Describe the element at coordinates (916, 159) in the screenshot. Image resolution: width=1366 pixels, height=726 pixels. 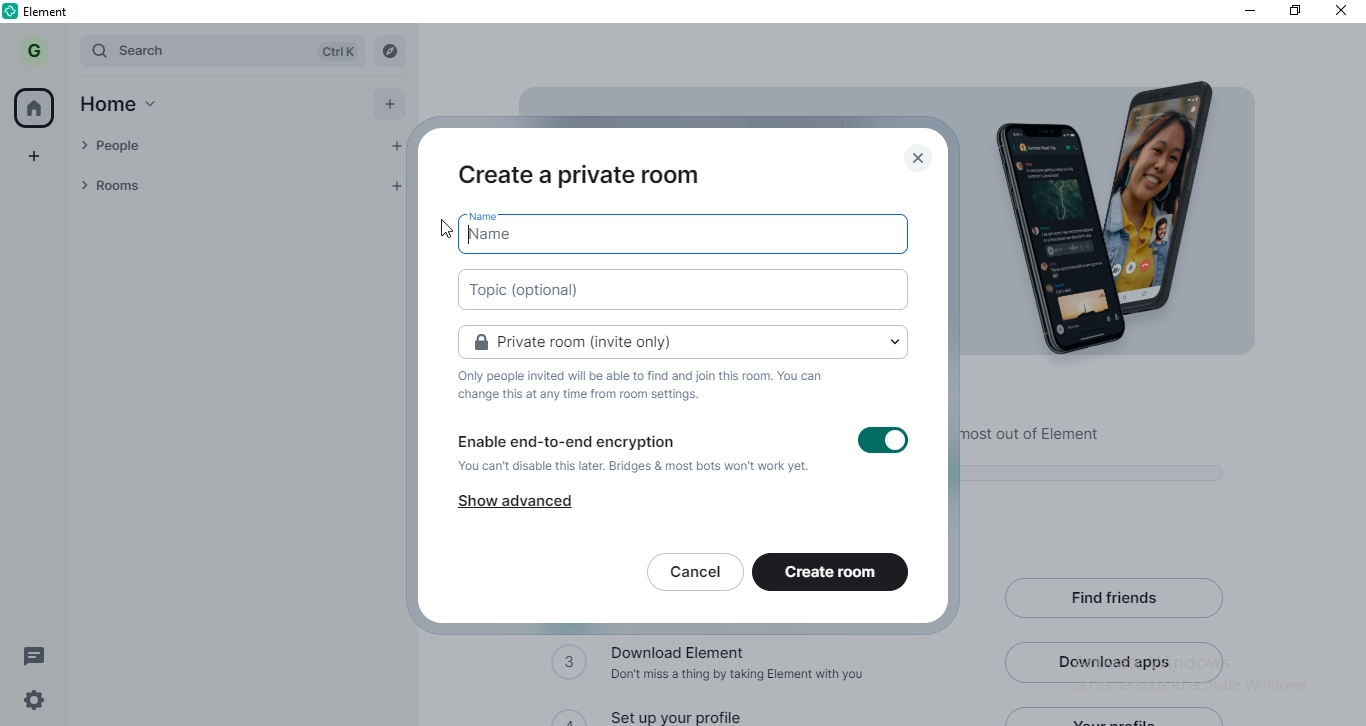
I see `close` at that location.